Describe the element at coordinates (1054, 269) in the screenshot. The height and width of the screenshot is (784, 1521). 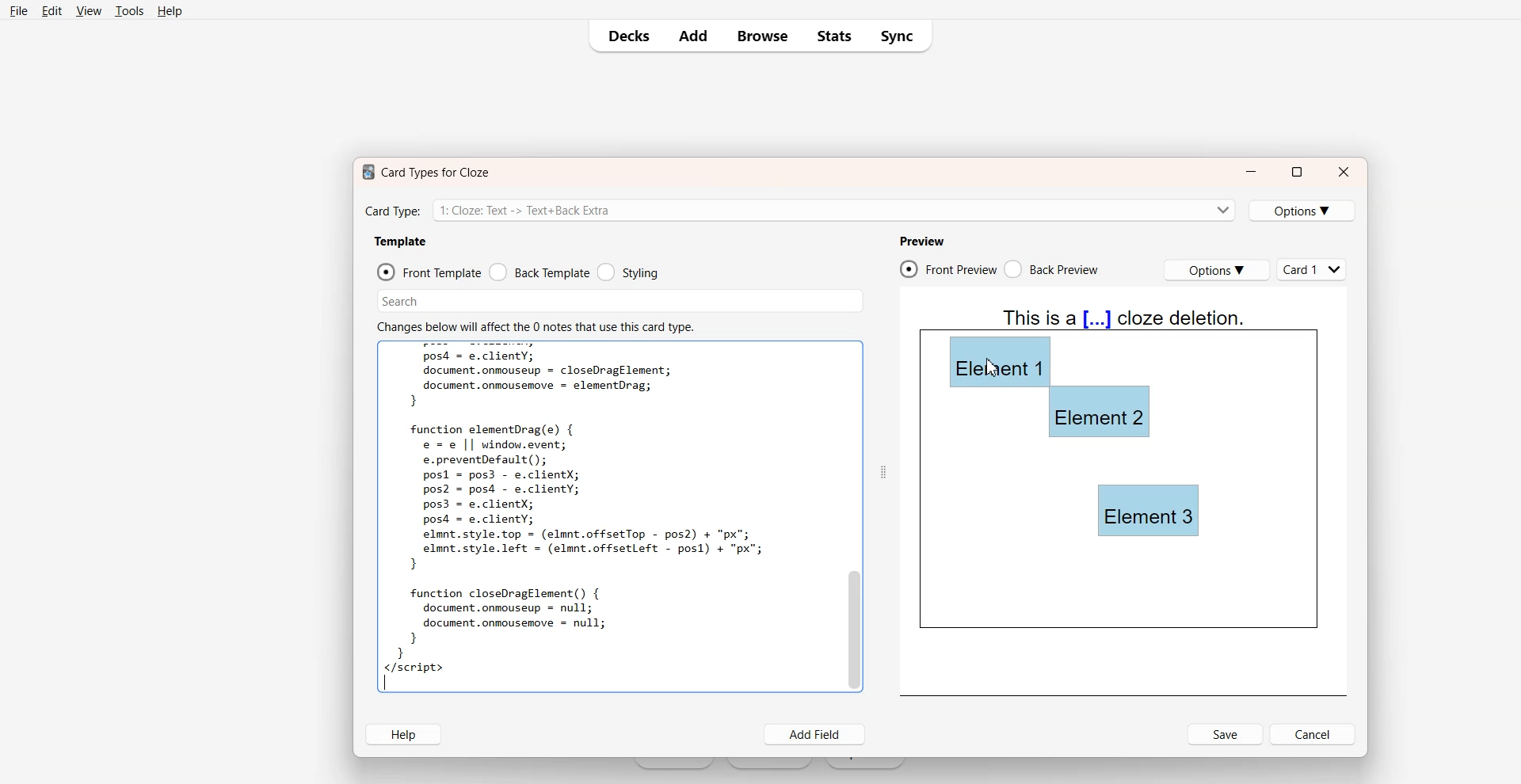
I see `Back Preview` at that location.